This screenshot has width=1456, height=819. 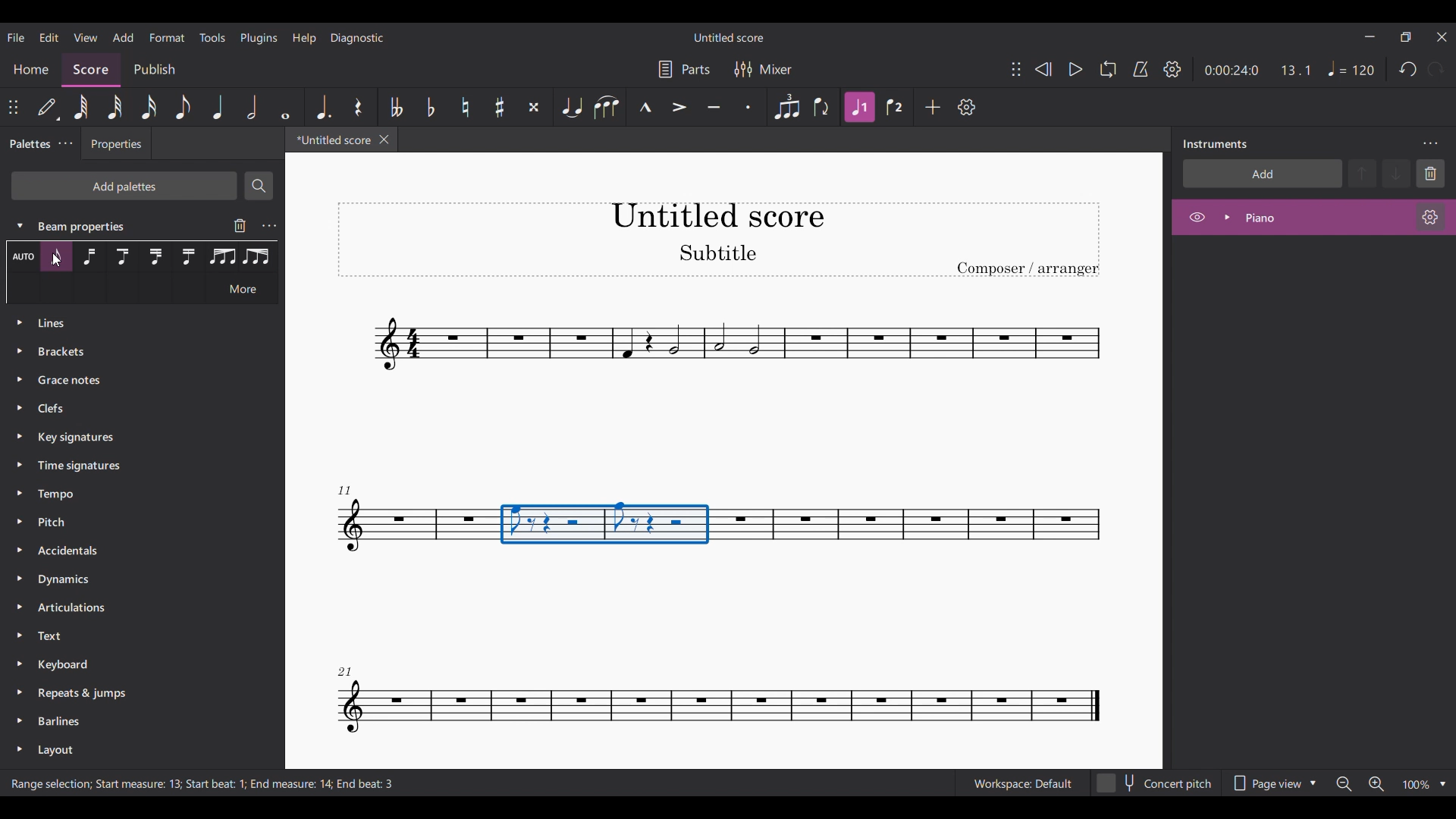 What do you see at coordinates (91, 67) in the screenshot?
I see `Score, current section highlighted` at bounding box center [91, 67].